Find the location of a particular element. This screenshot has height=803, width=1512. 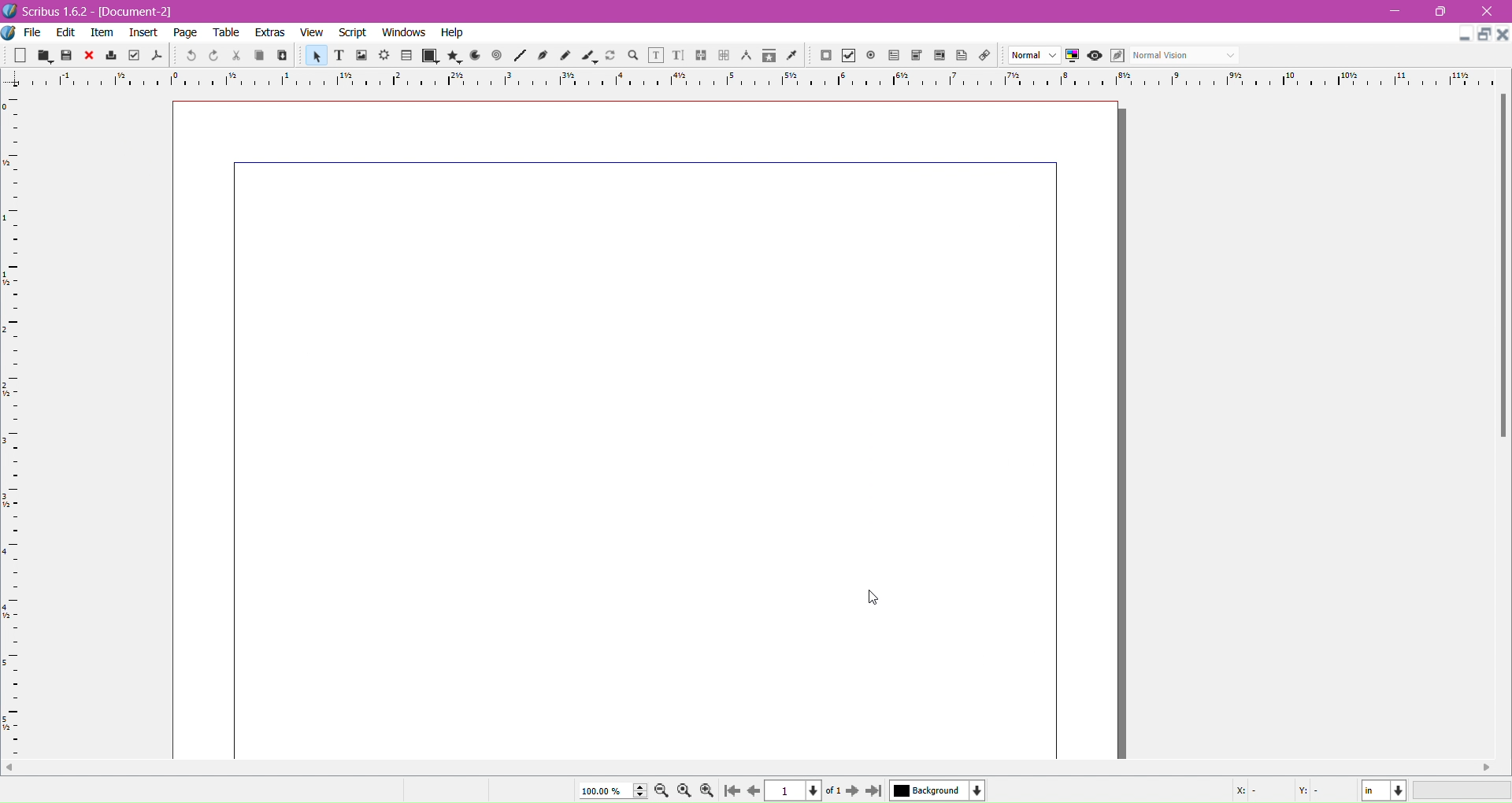

icon is located at coordinates (847, 56).